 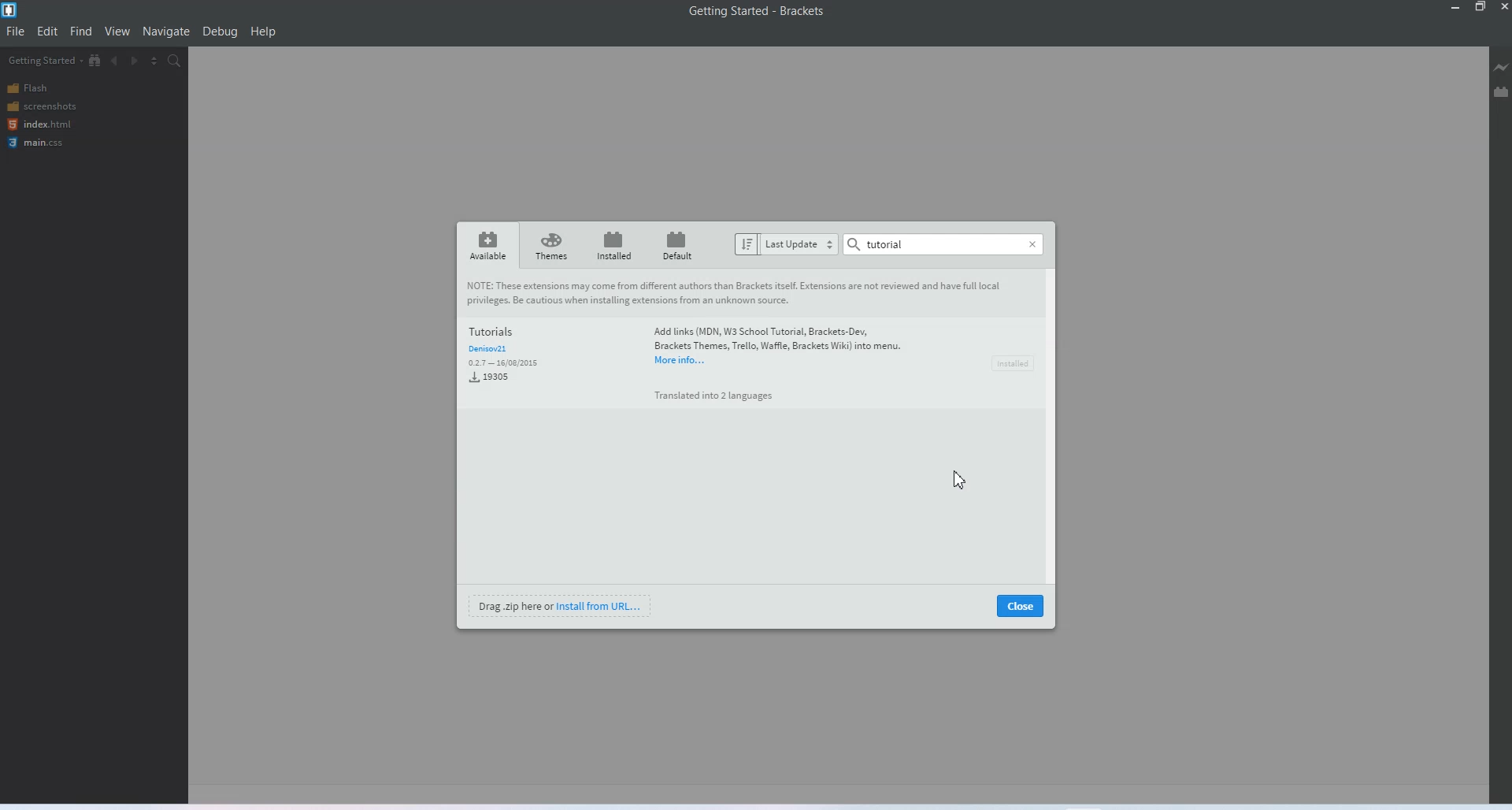 What do you see at coordinates (754, 295) in the screenshot?
I see `NOTE: These extensions may come from different authors than Brackets itself. Extensions are not reviewed and have full local
privileges. Be cautious when installing extensions from an unknown source.` at bounding box center [754, 295].